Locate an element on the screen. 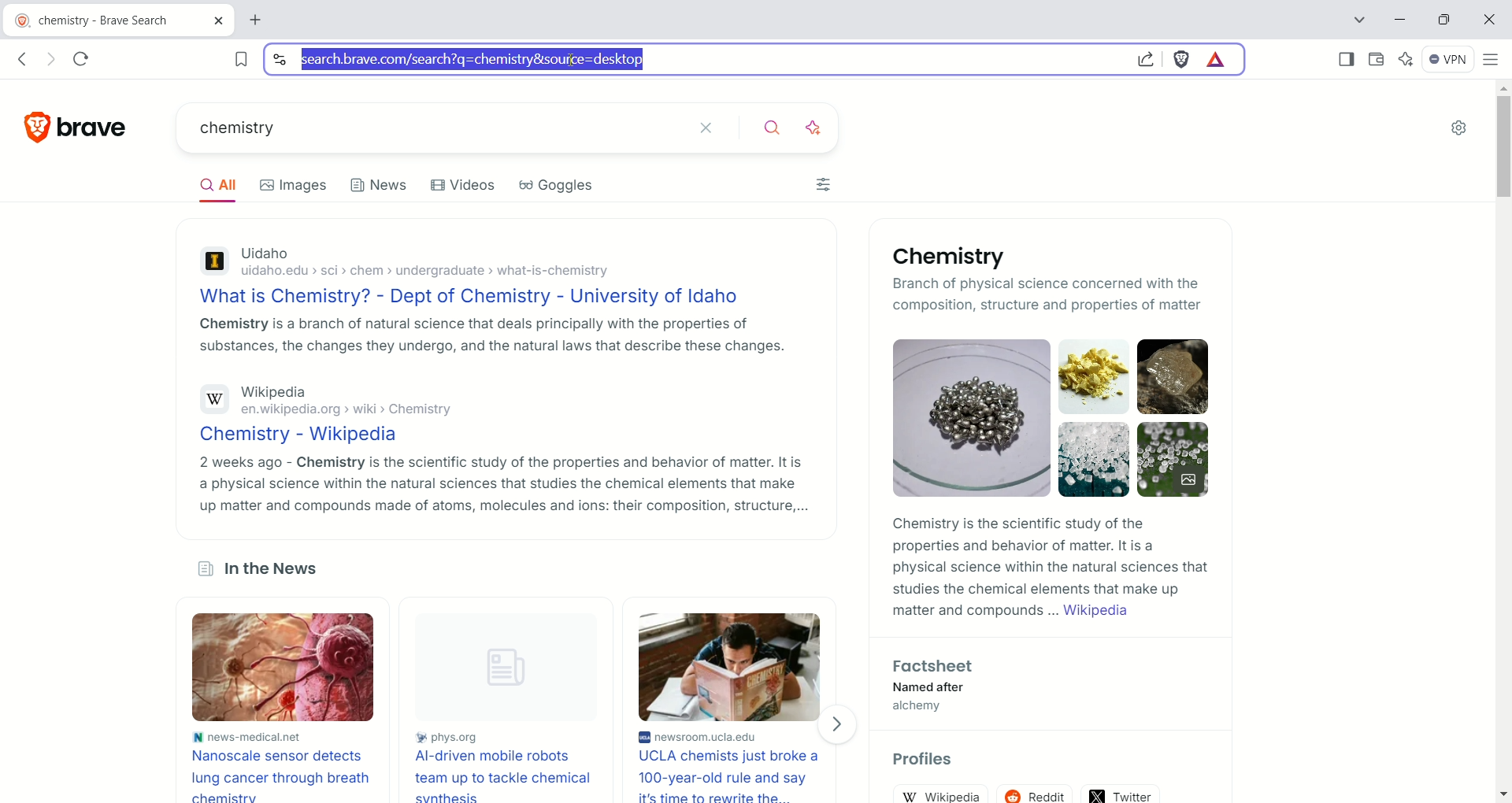 This screenshot has width=1512, height=803. What is Chemistry? - Dept of Chemistry - University of Idaho is located at coordinates (476, 296).